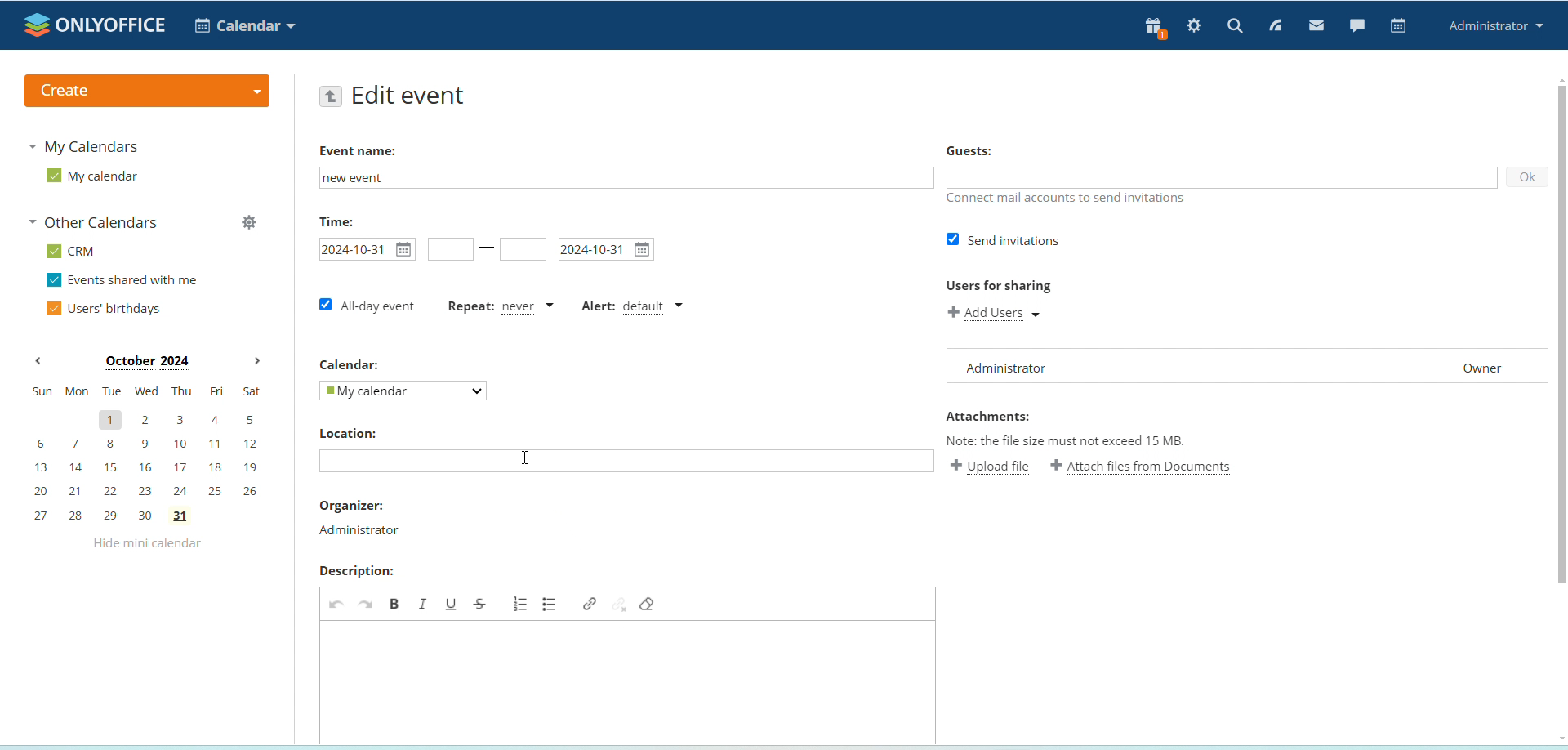 This screenshot has width=1568, height=750. I want to click on select calendar, so click(402, 391).